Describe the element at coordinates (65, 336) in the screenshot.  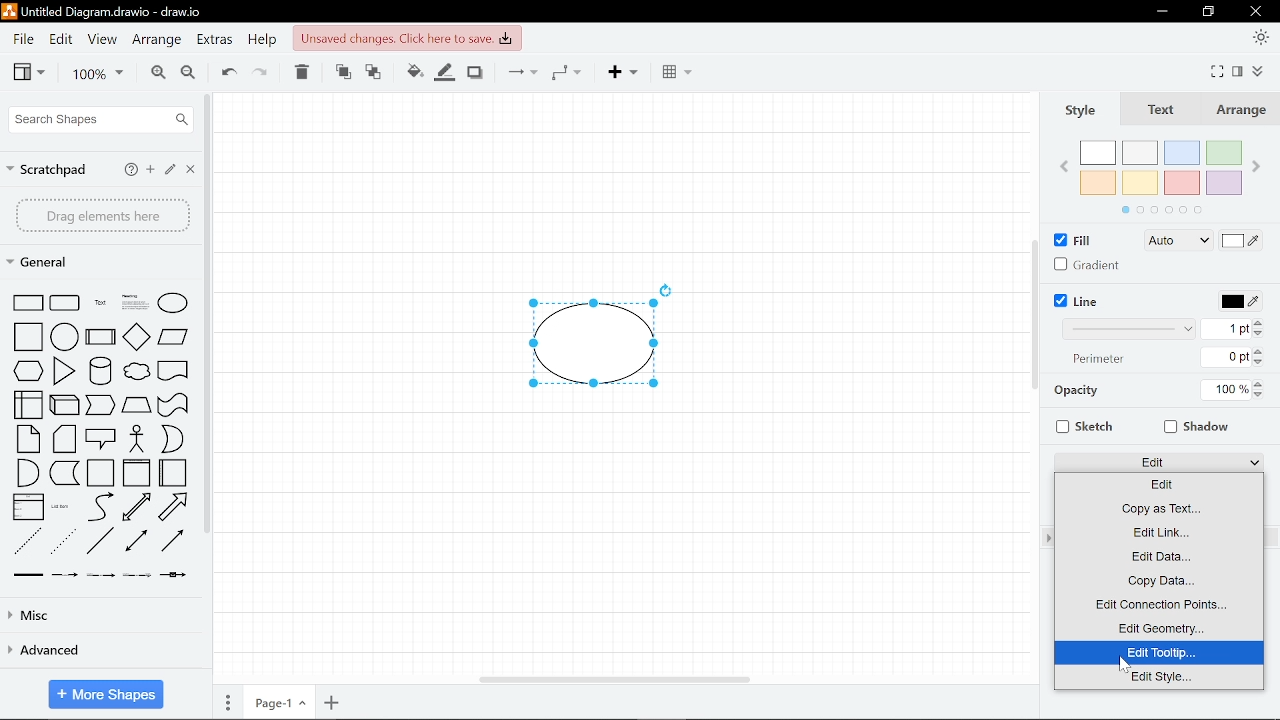
I see `circle` at that location.